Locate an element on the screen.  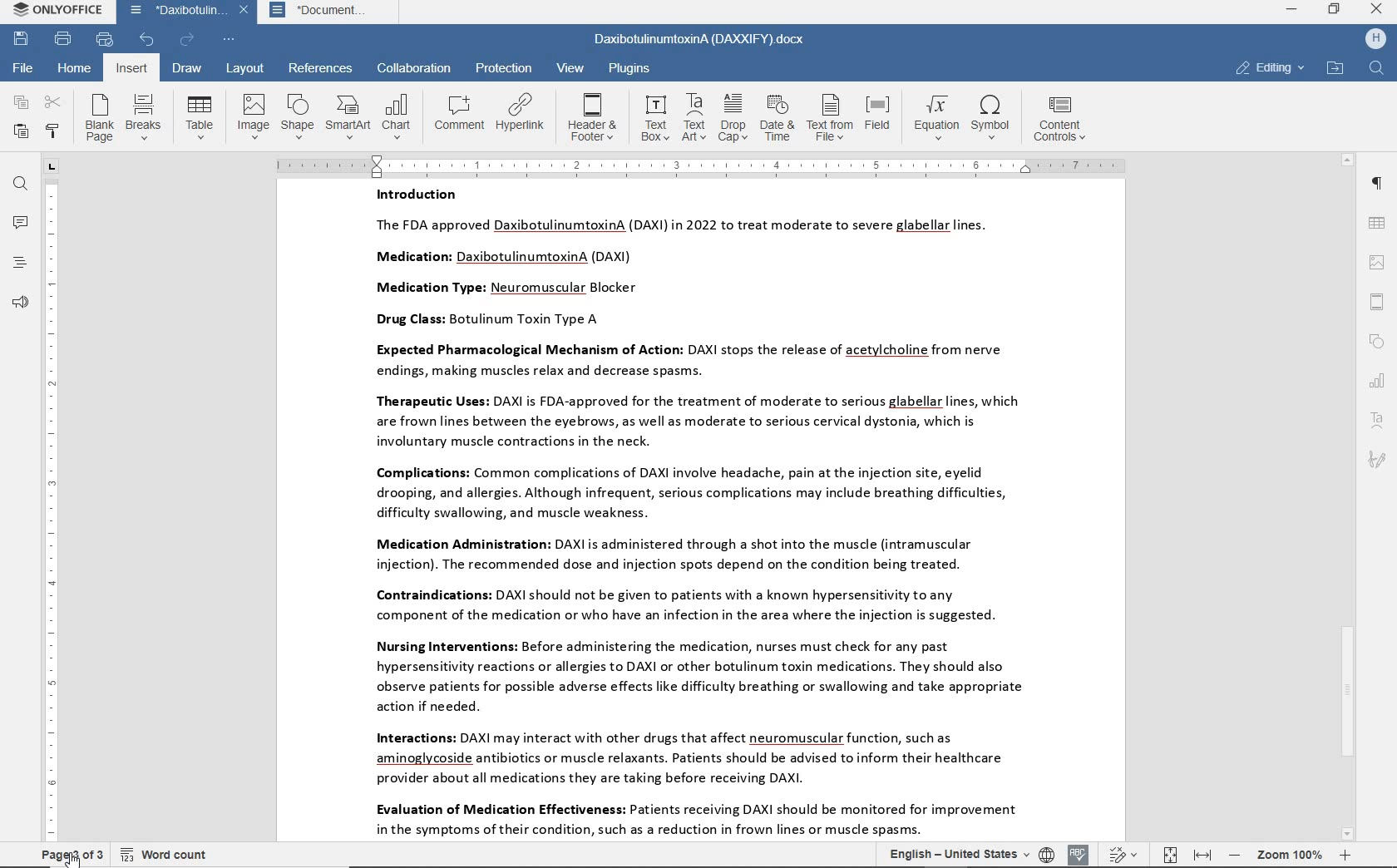
hyperlink is located at coordinates (521, 112).